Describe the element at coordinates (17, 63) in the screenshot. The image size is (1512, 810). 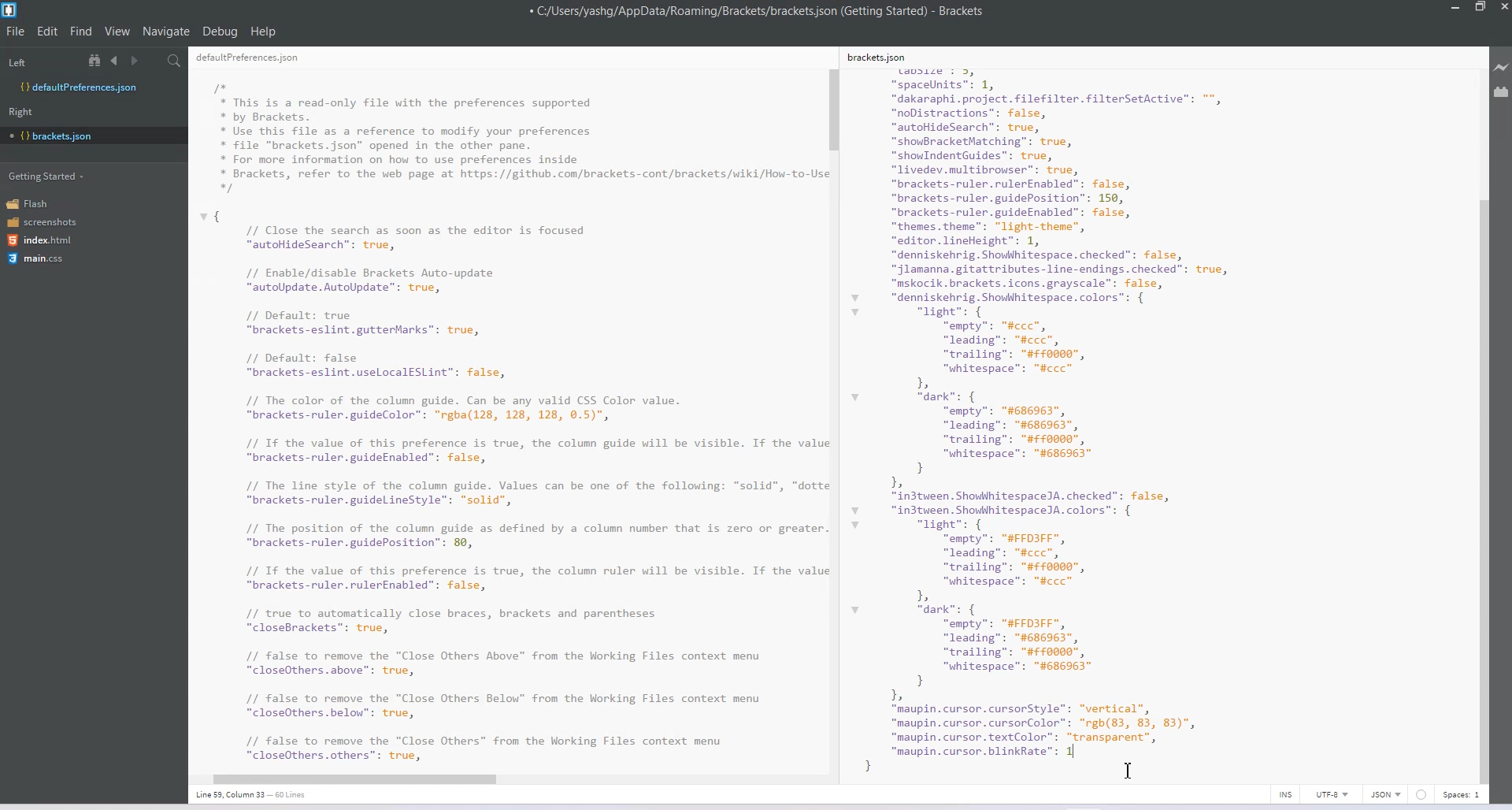
I see `Left` at that location.